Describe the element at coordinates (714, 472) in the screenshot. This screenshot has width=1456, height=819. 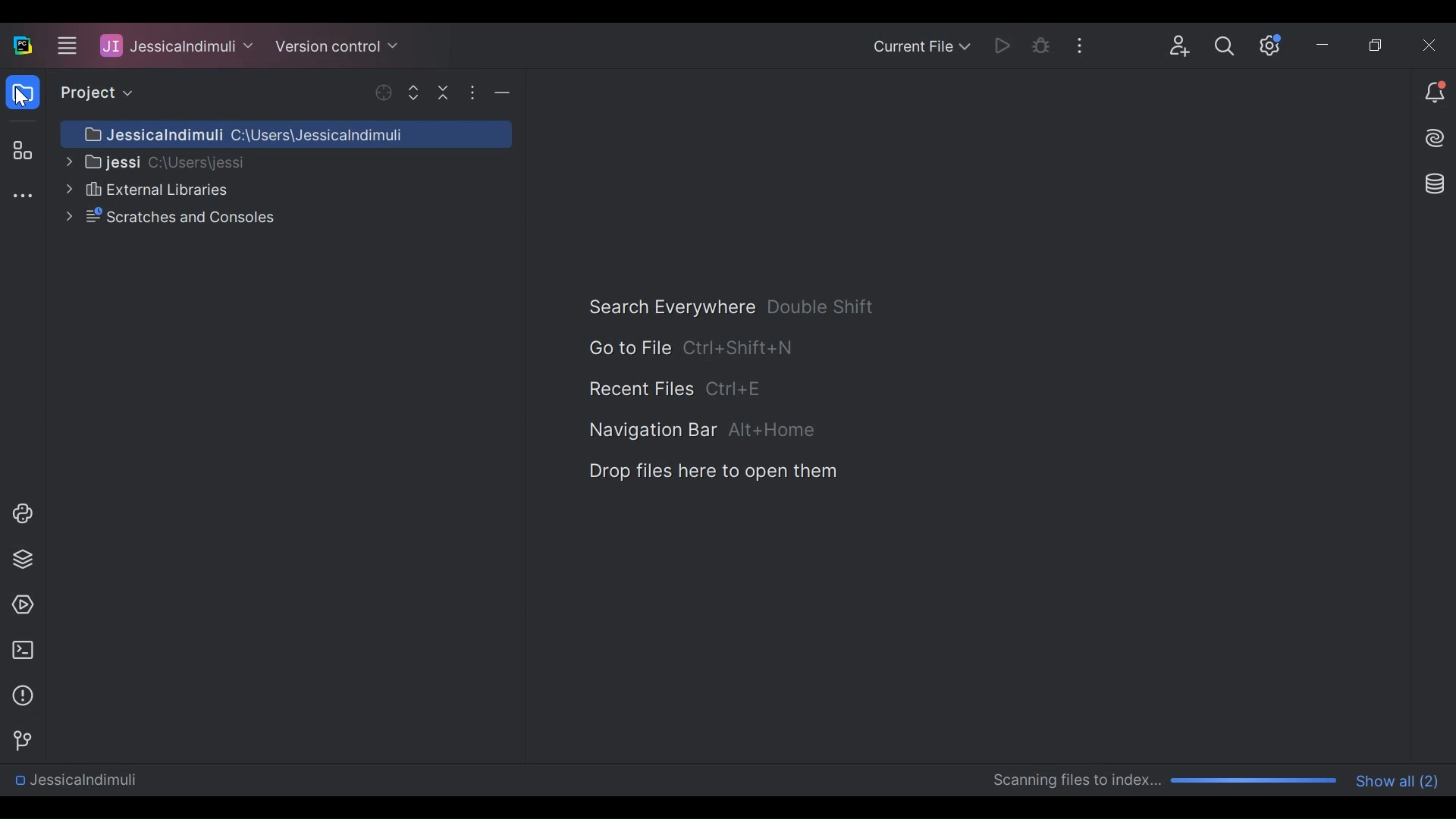
I see `Drop Files here to Open` at that location.